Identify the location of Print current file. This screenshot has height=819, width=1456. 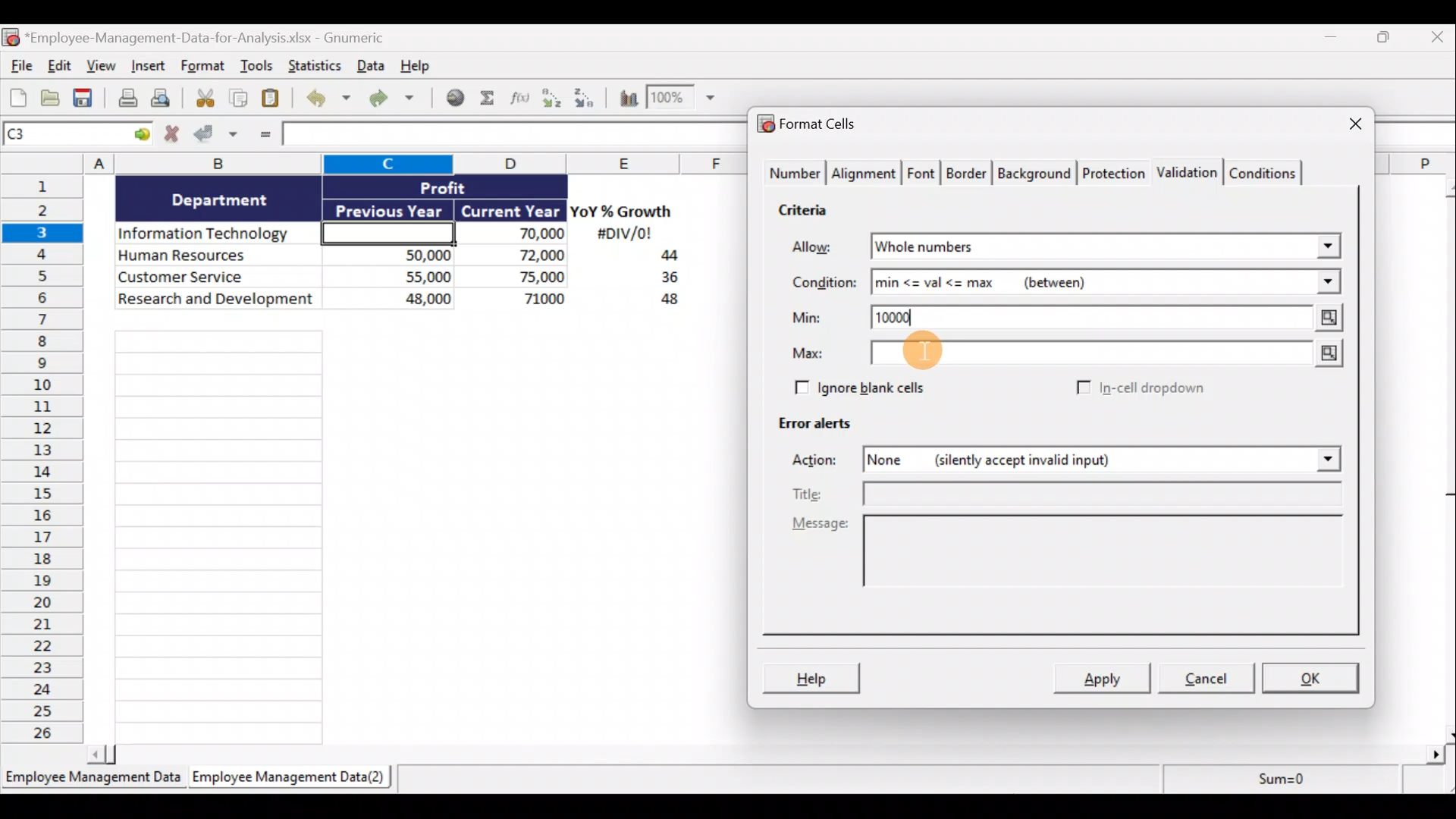
(125, 99).